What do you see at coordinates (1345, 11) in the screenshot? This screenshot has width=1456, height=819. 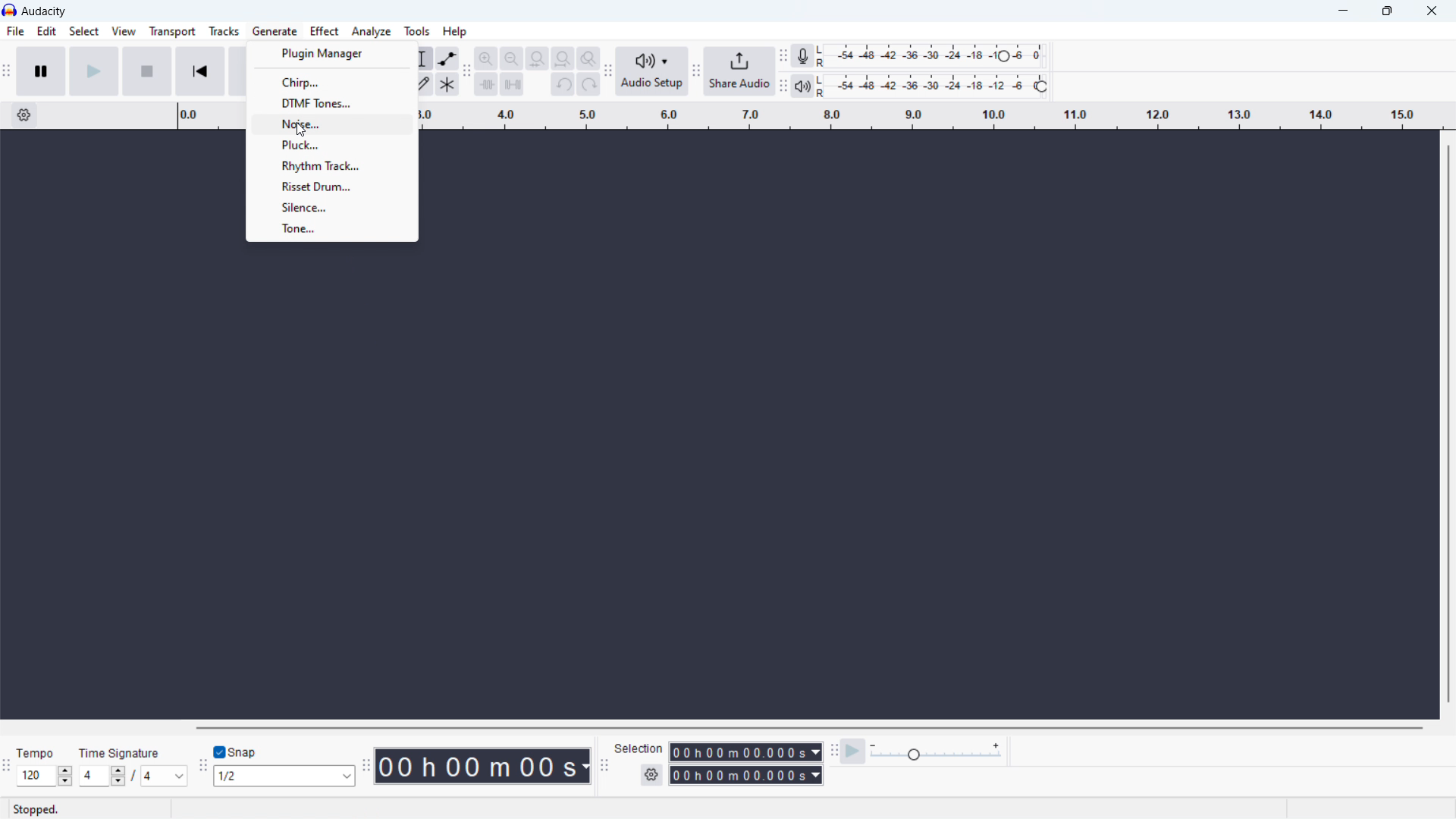 I see `minimize Audacity` at bounding box center [1345, 11].